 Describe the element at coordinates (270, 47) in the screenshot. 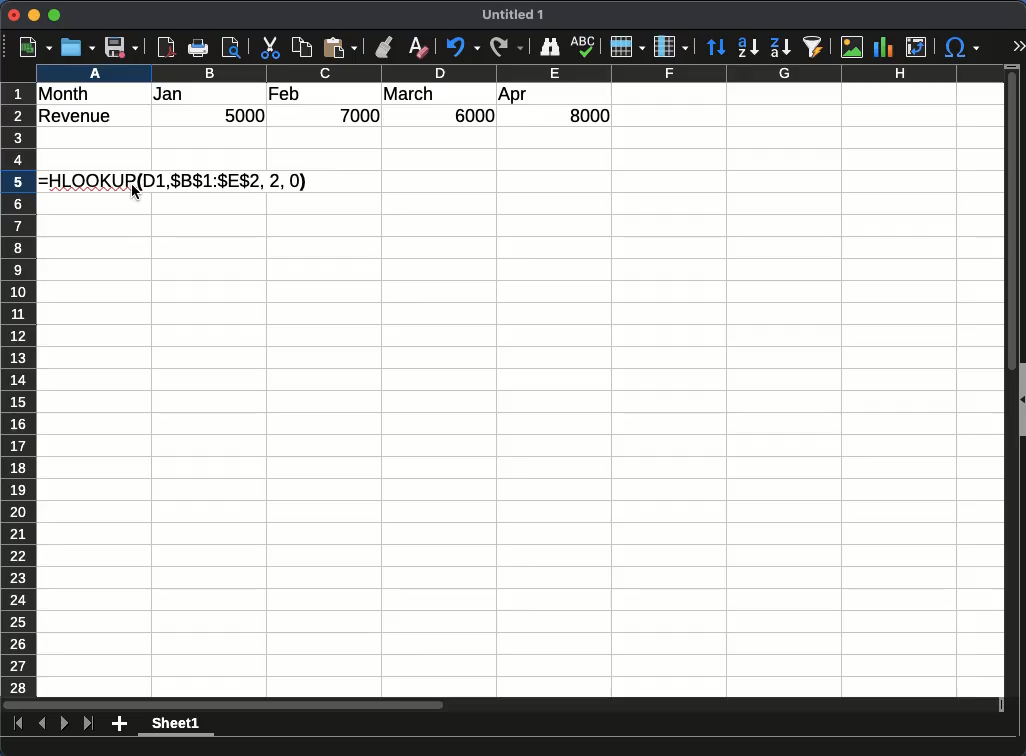

I see `cut` at that location.